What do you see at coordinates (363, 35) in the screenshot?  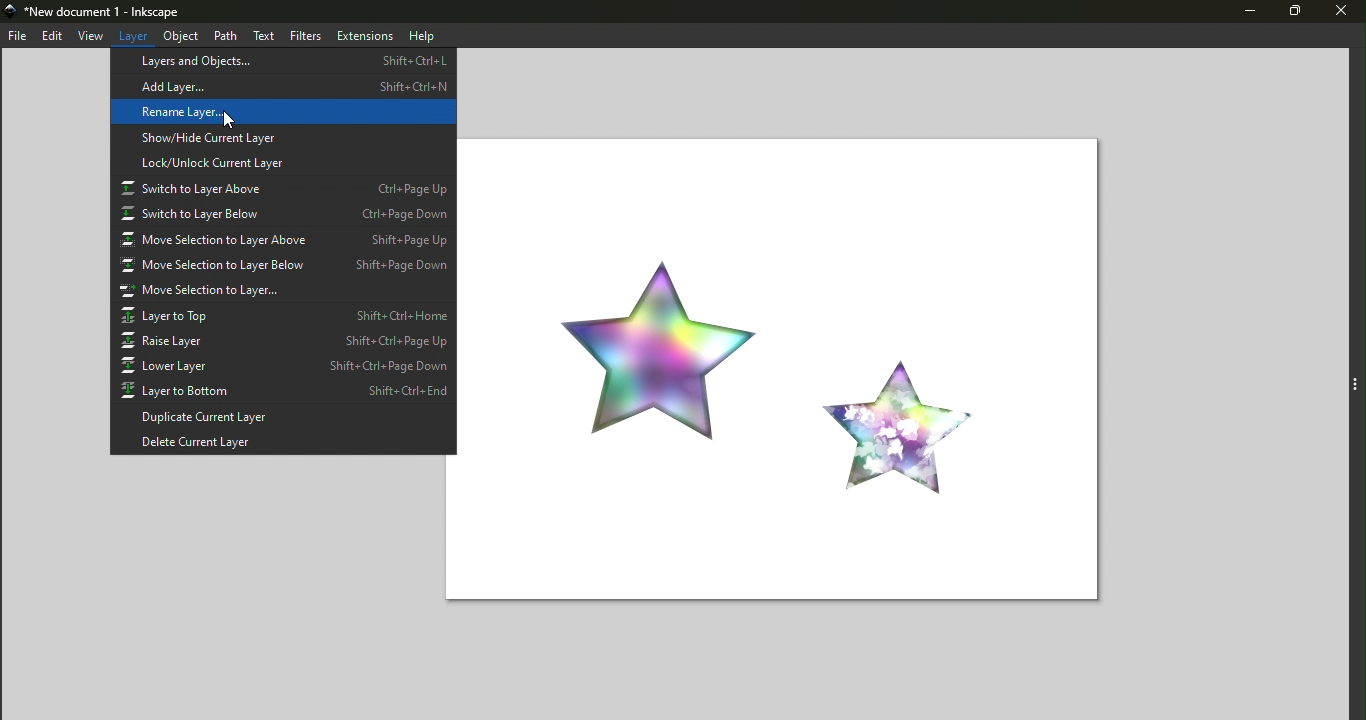 I see `extensions` at bounding box center [363, 35].